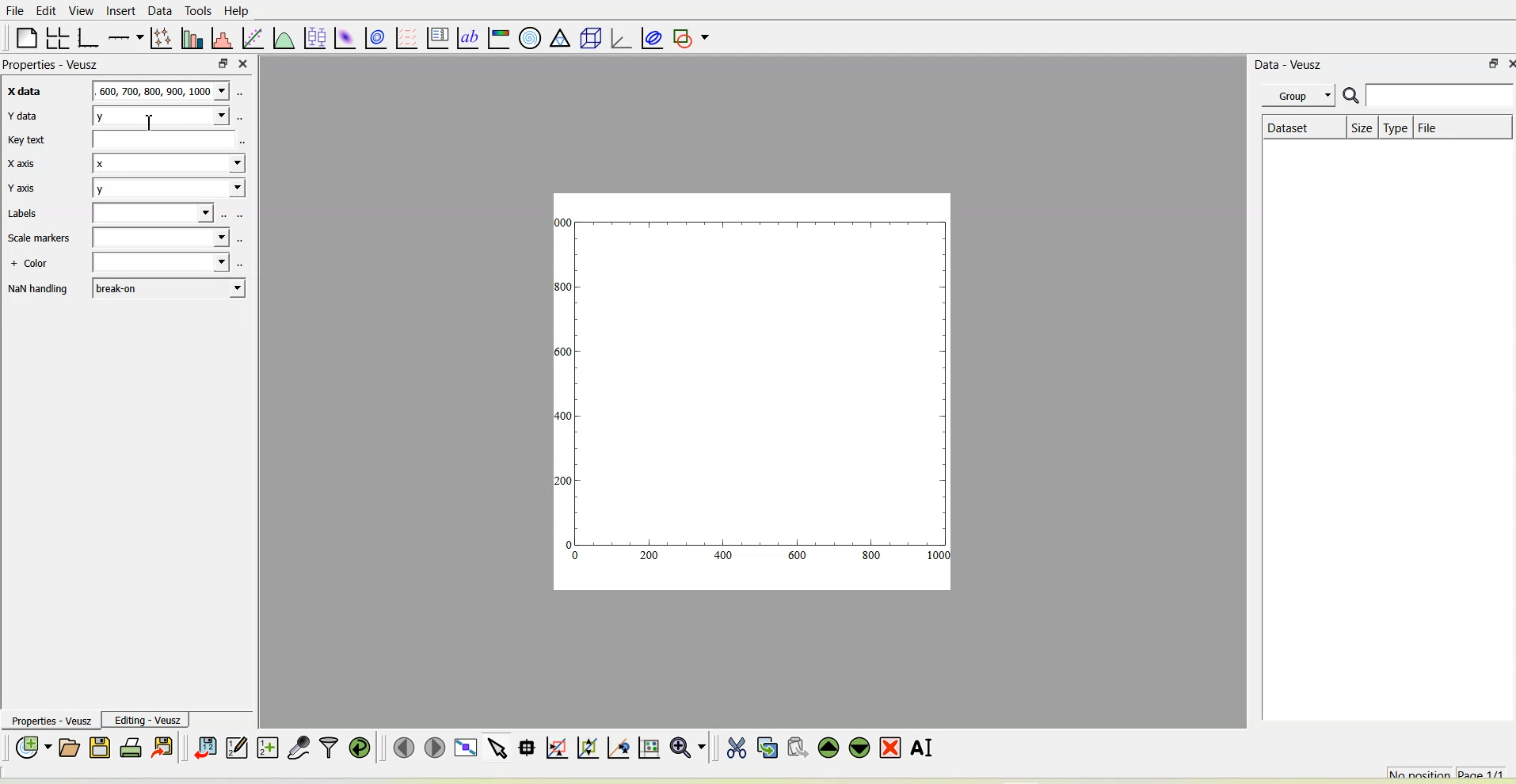 The image size is (1516, 784). Describe the element at coordinates (53, 66) in the screenshot. I see `Properties - Veusz` at that location.